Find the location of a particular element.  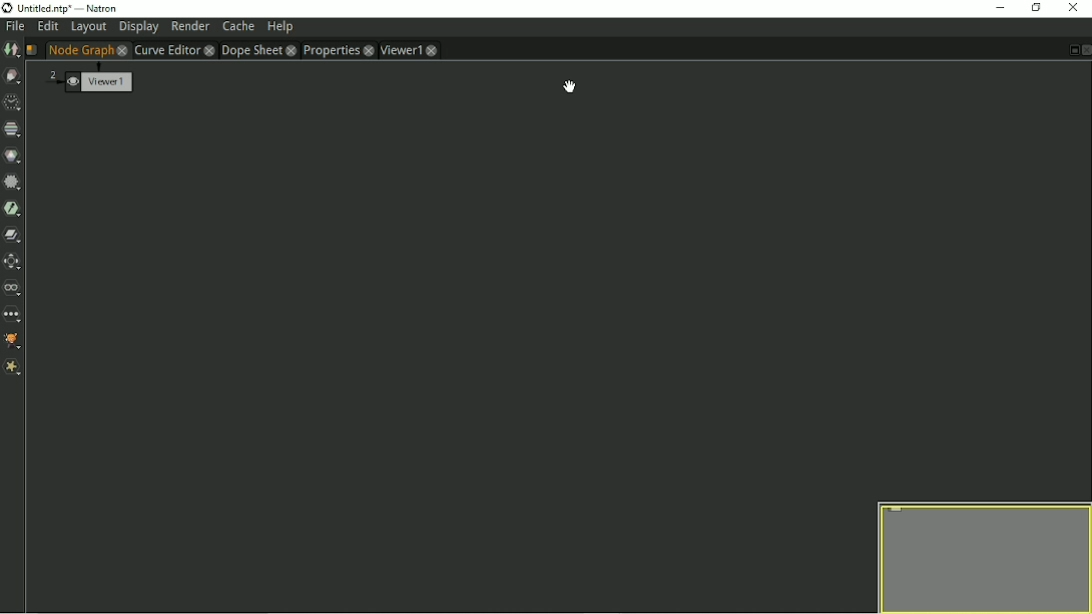

Draw is located at coordinates (14, 76).